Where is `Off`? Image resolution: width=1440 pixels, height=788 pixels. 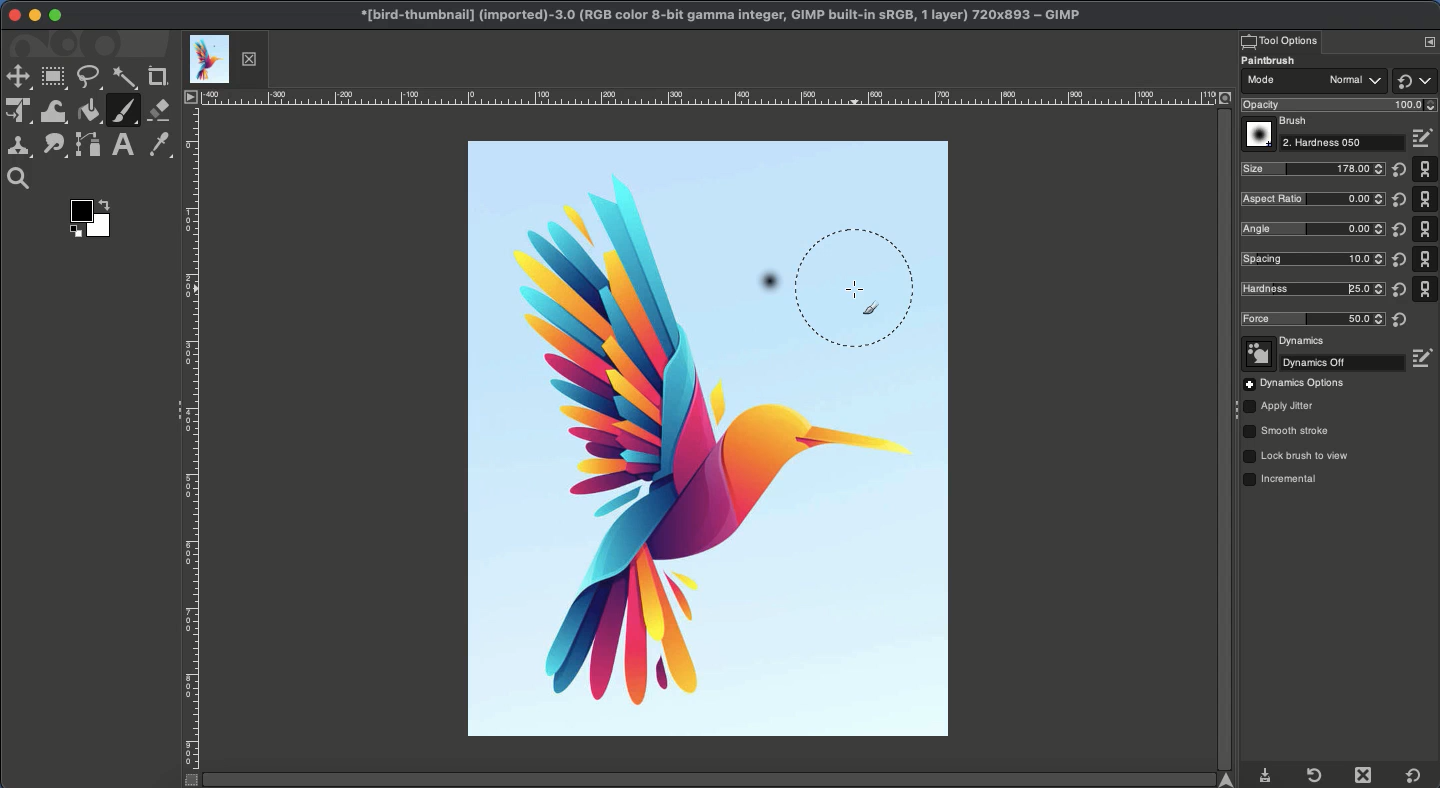 Off is located at coordinates (1324, 363).